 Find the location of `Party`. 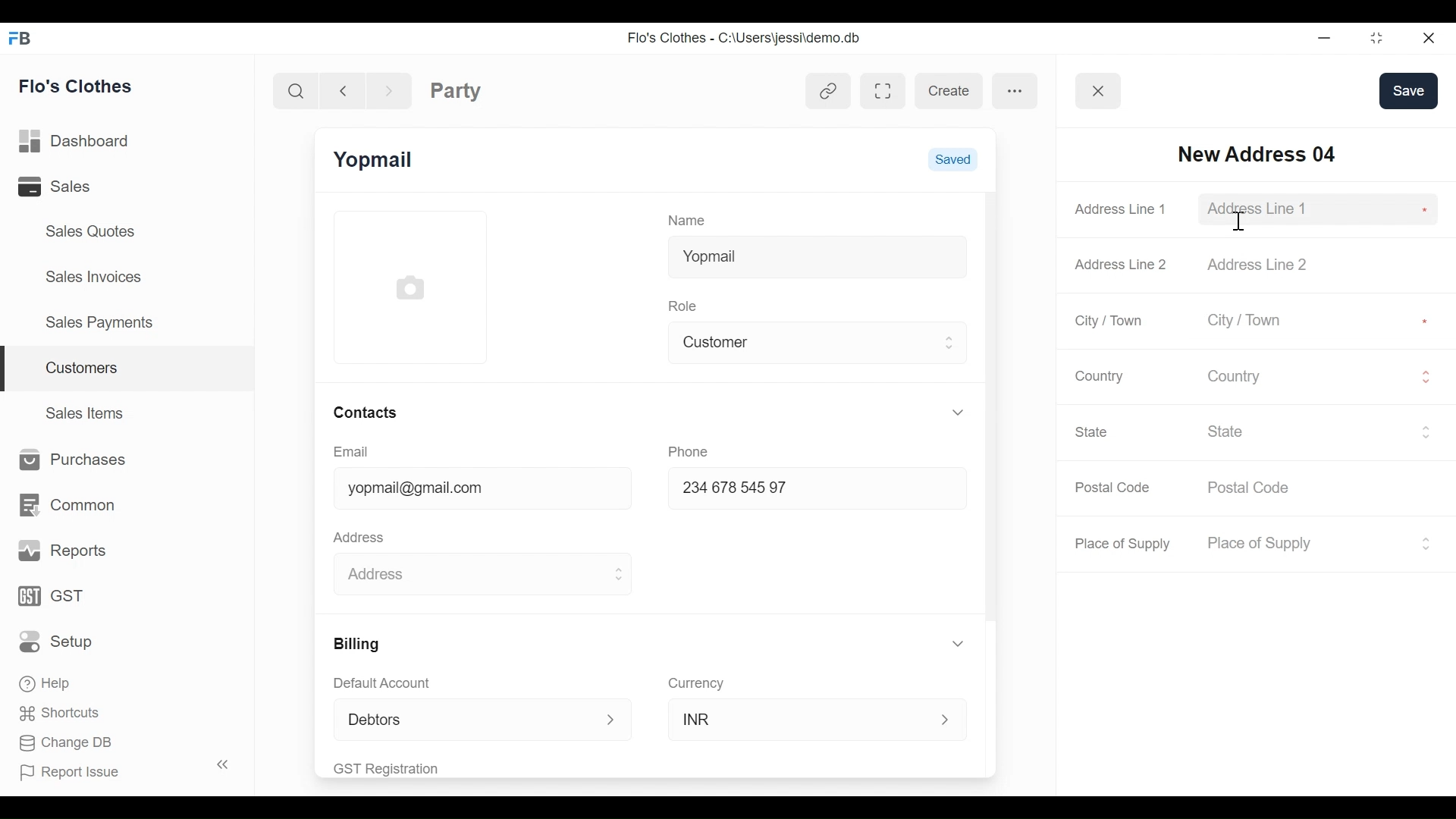

Party is located at coordinates (456, 90).